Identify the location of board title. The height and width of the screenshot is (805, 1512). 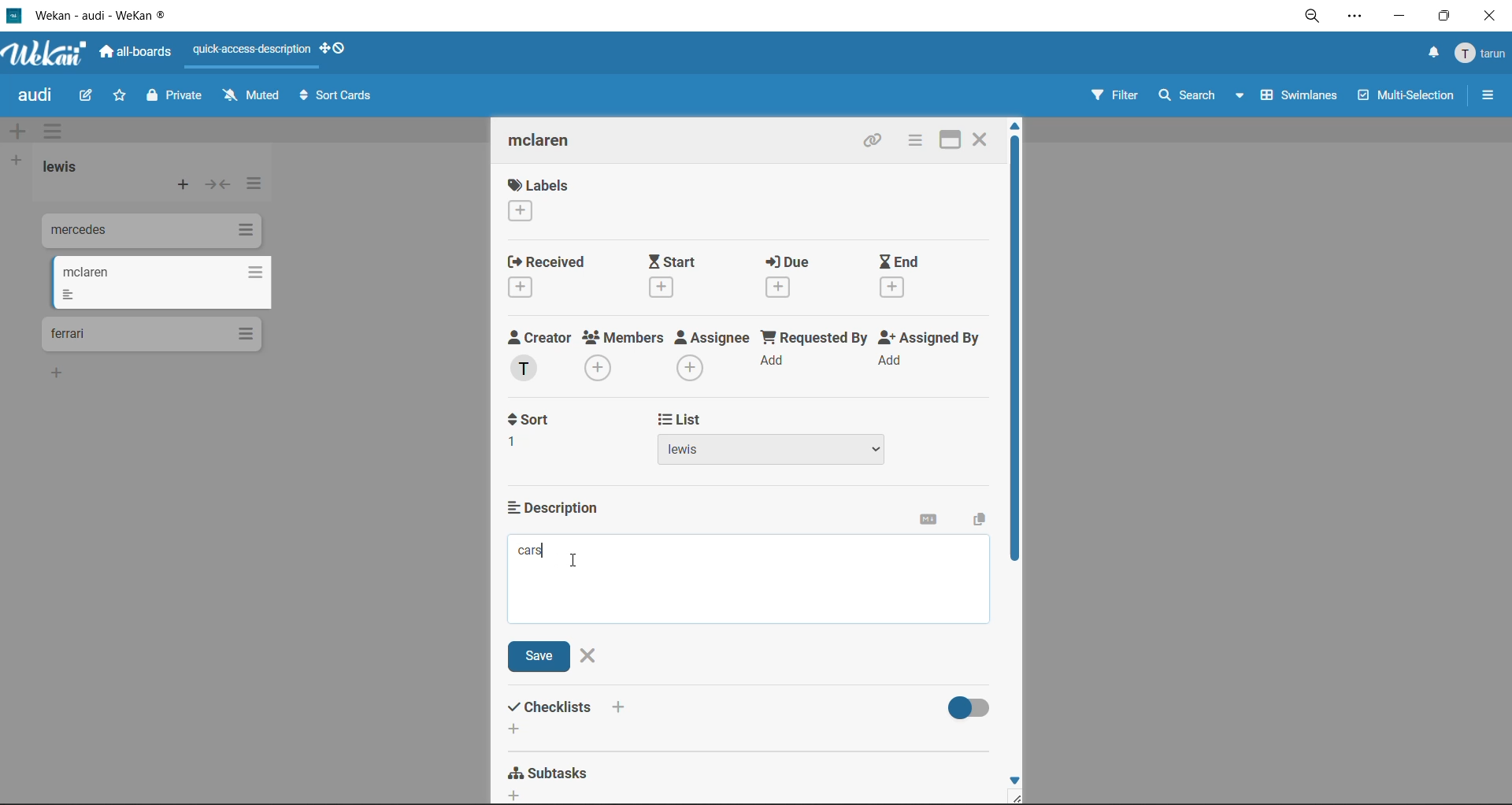
(39, 95).